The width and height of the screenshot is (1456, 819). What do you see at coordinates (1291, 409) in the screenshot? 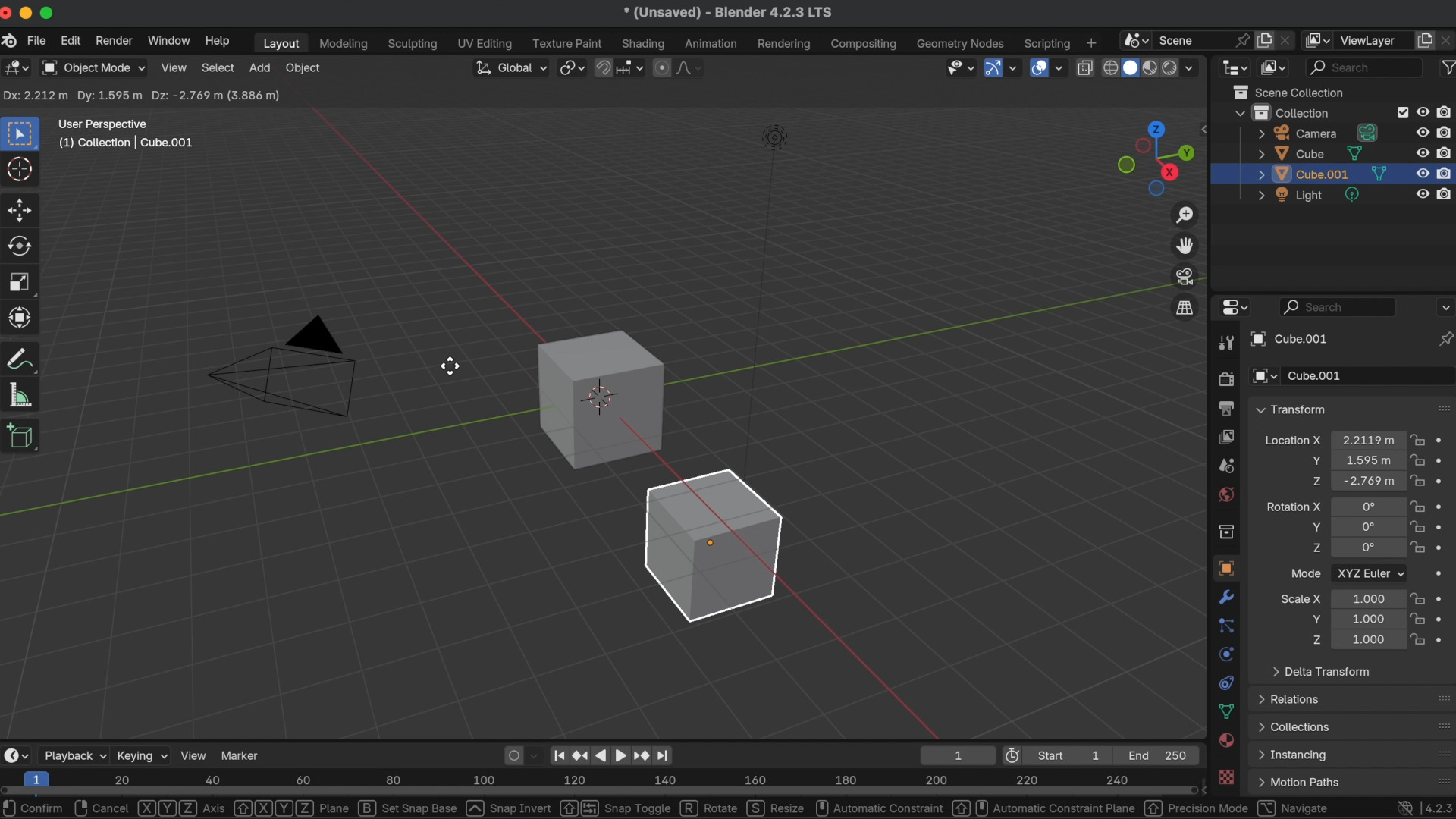
I see `transform dropdown` at bounding box center [1291, 409].